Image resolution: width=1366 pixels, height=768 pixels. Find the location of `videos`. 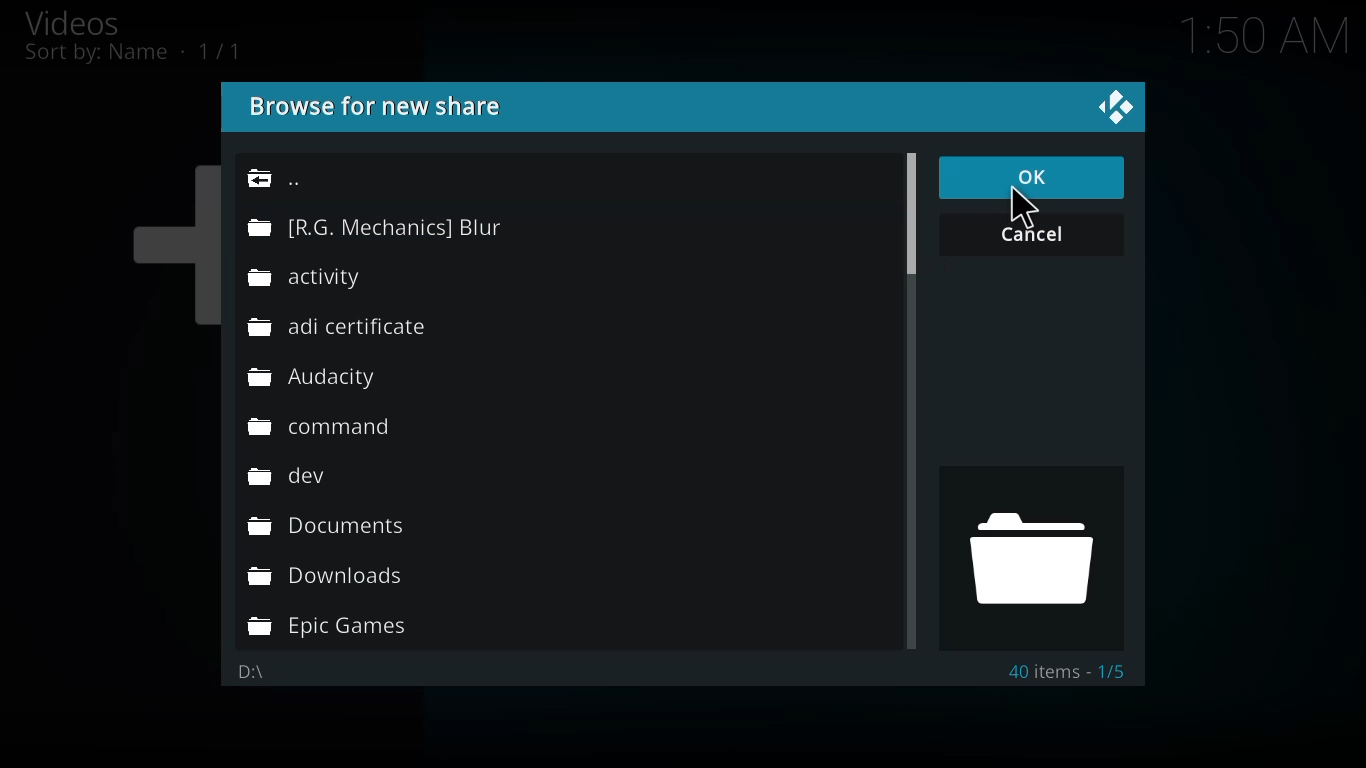

videos is located at coordinates (71, 21).